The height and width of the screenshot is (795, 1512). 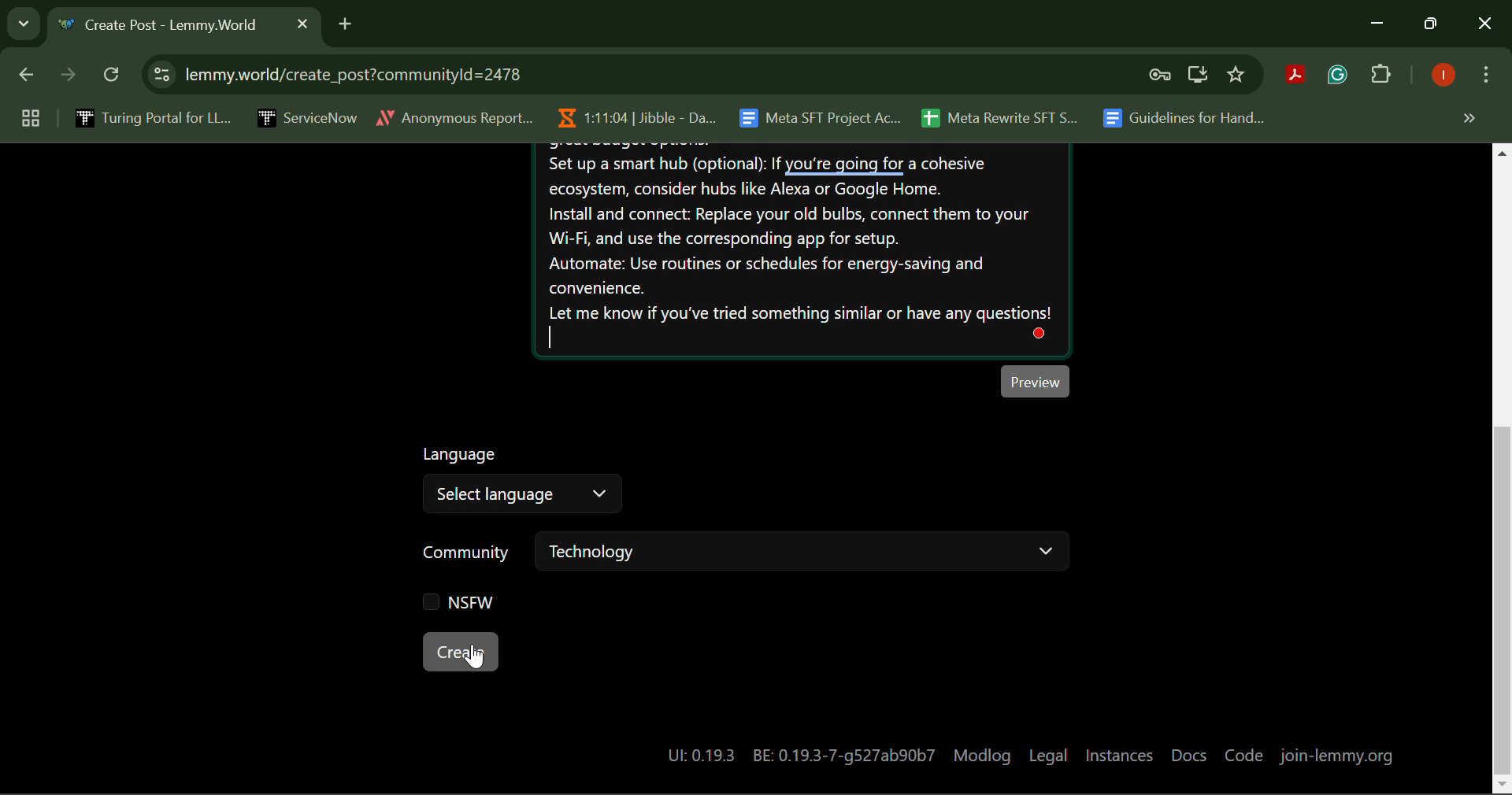 What do you see at coordinates (803, 249) in the screenshot?
I see `Post Body Paragraph` at bounding box center [803, 249].